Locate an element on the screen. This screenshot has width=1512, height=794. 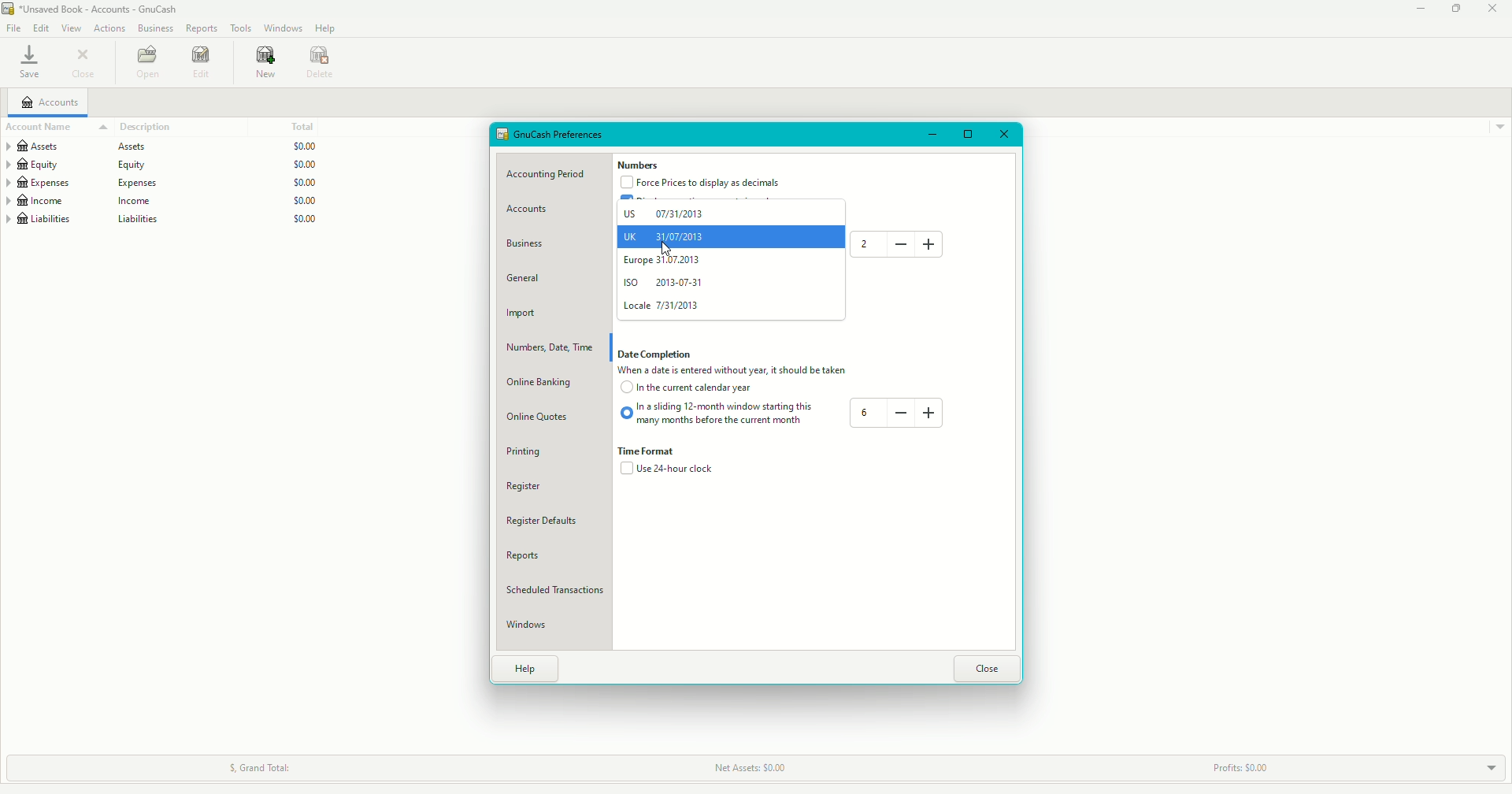
Restore is located at coordinates (968, 132).